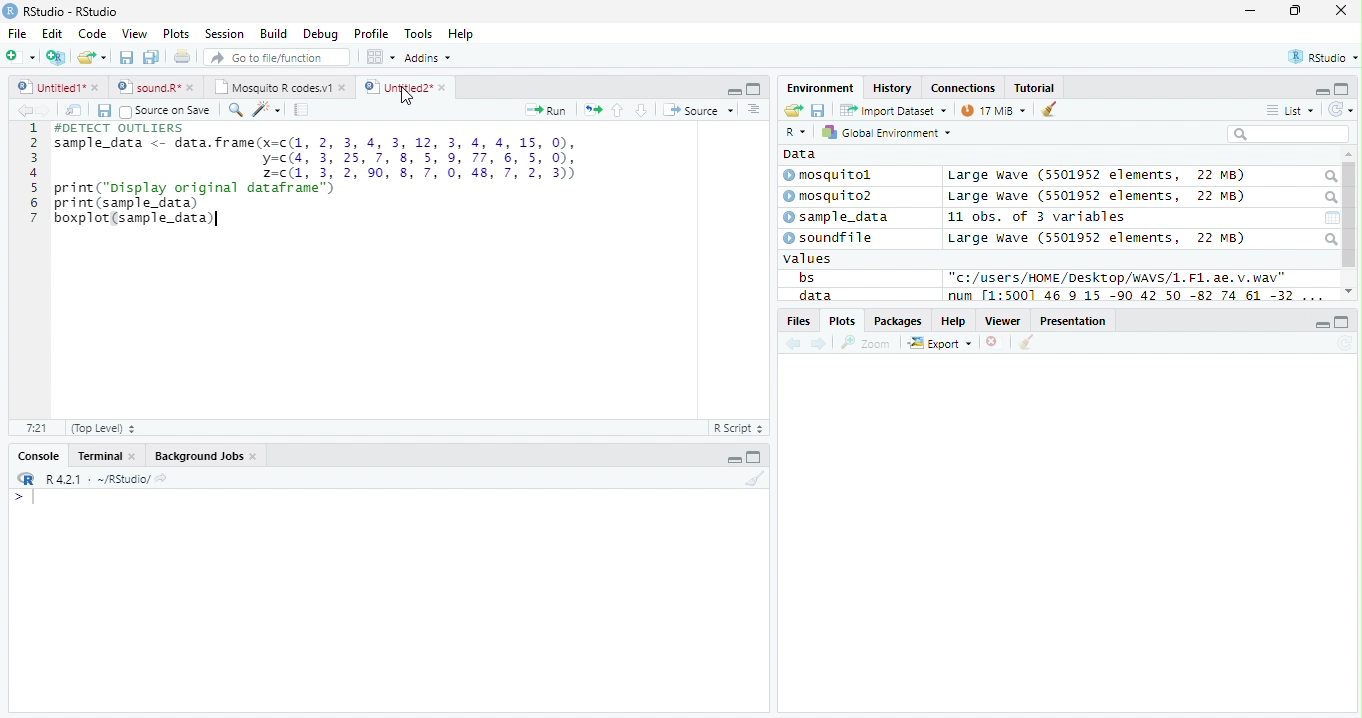  Describe the element at coordinates (92, 34) in the screenshot. I see `Code` at that location.